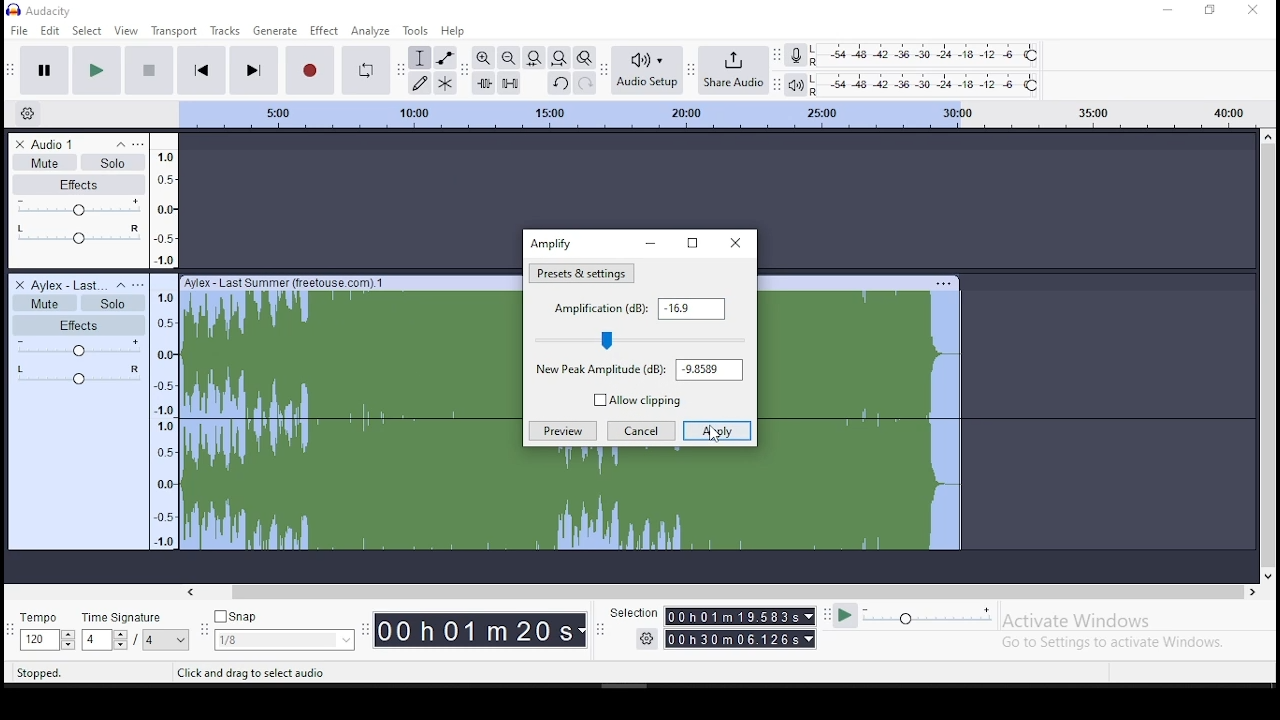 This screenshot has width=1280, height=720. Describe the element at coordinates (119, 285) in the screenshot. I see `collapse` at that location.